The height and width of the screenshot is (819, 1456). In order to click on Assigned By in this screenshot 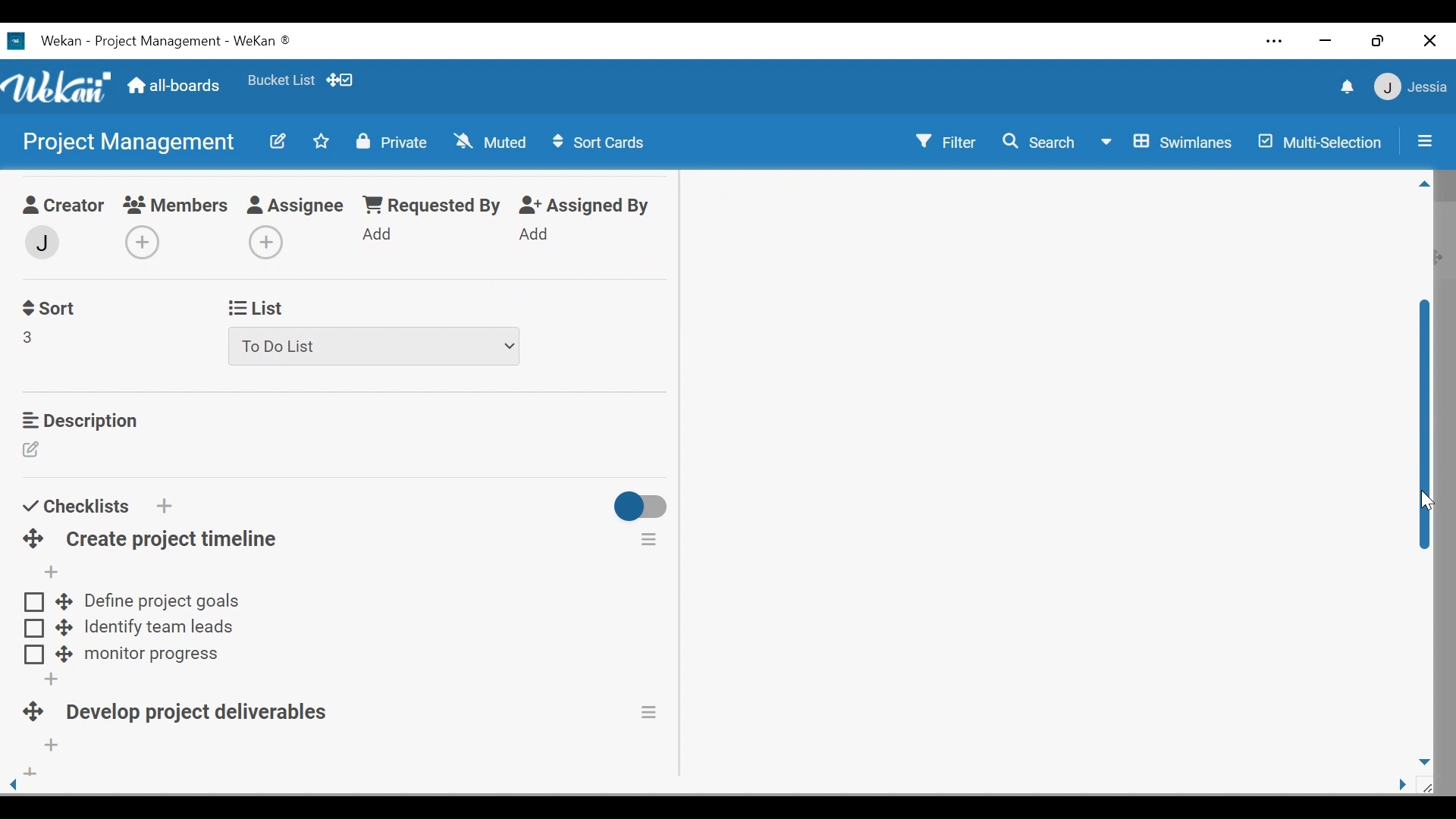, I will do `click(585, 206)`.